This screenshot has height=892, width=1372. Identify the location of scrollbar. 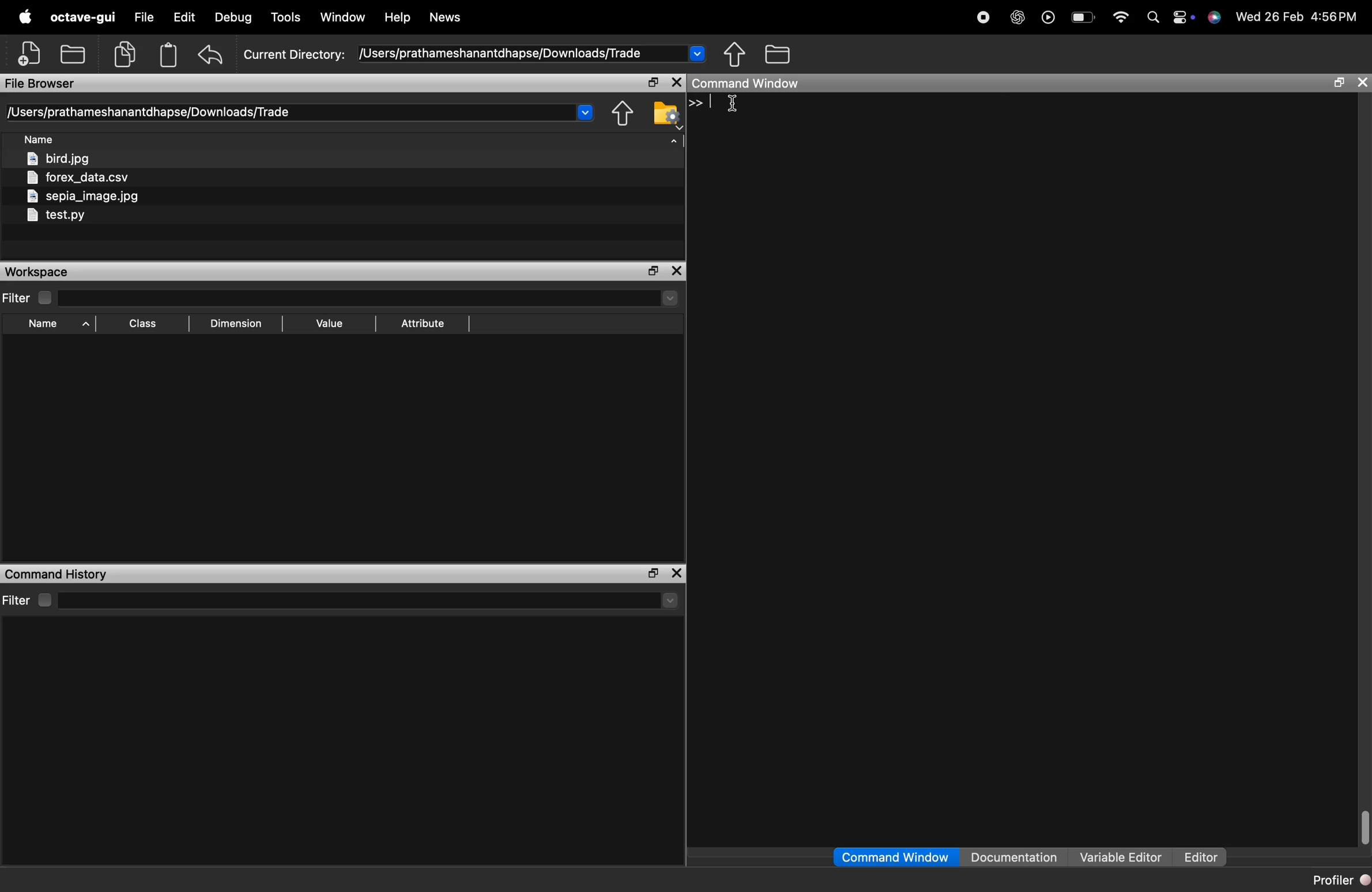
(1363, 830).